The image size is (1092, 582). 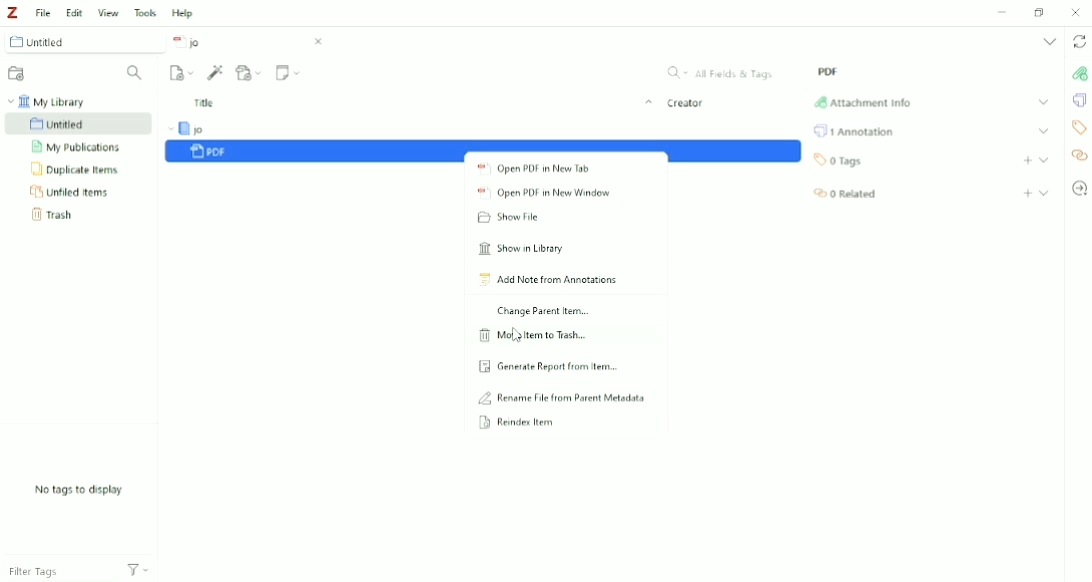 I want to click on My Library, so click(x=48, y=100).